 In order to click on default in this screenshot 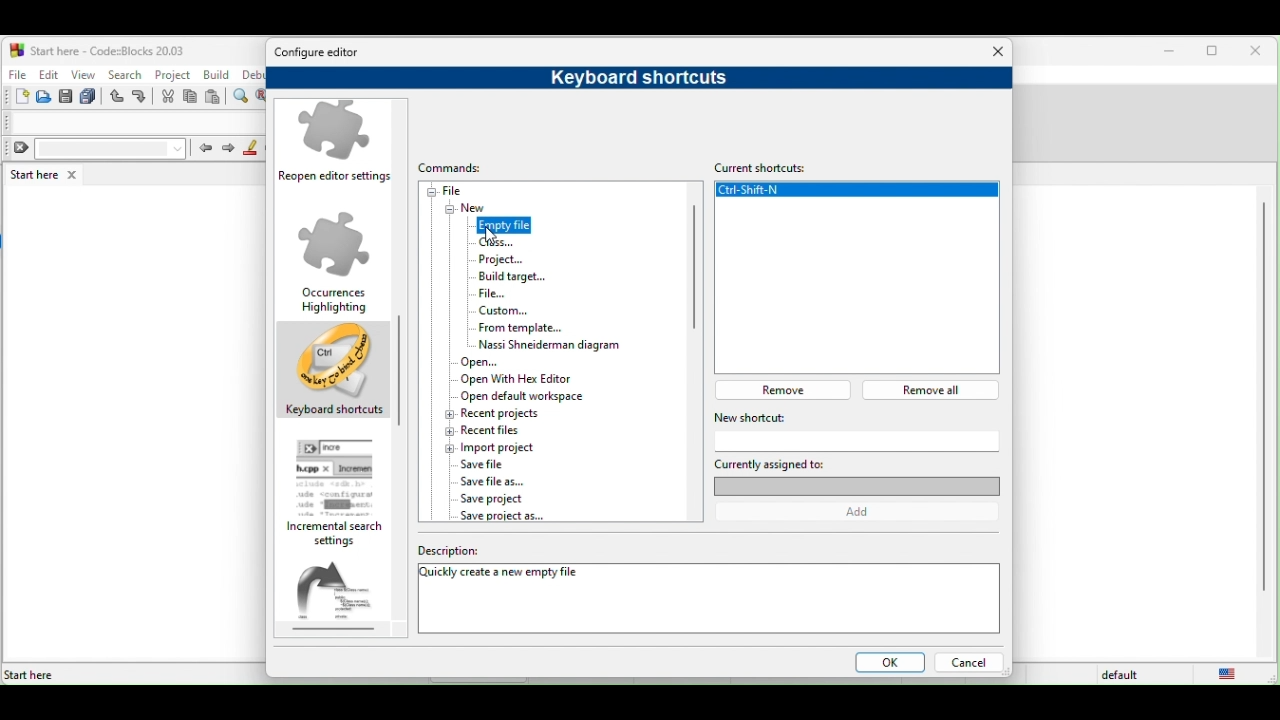, I will do `click(1123, 675)`.